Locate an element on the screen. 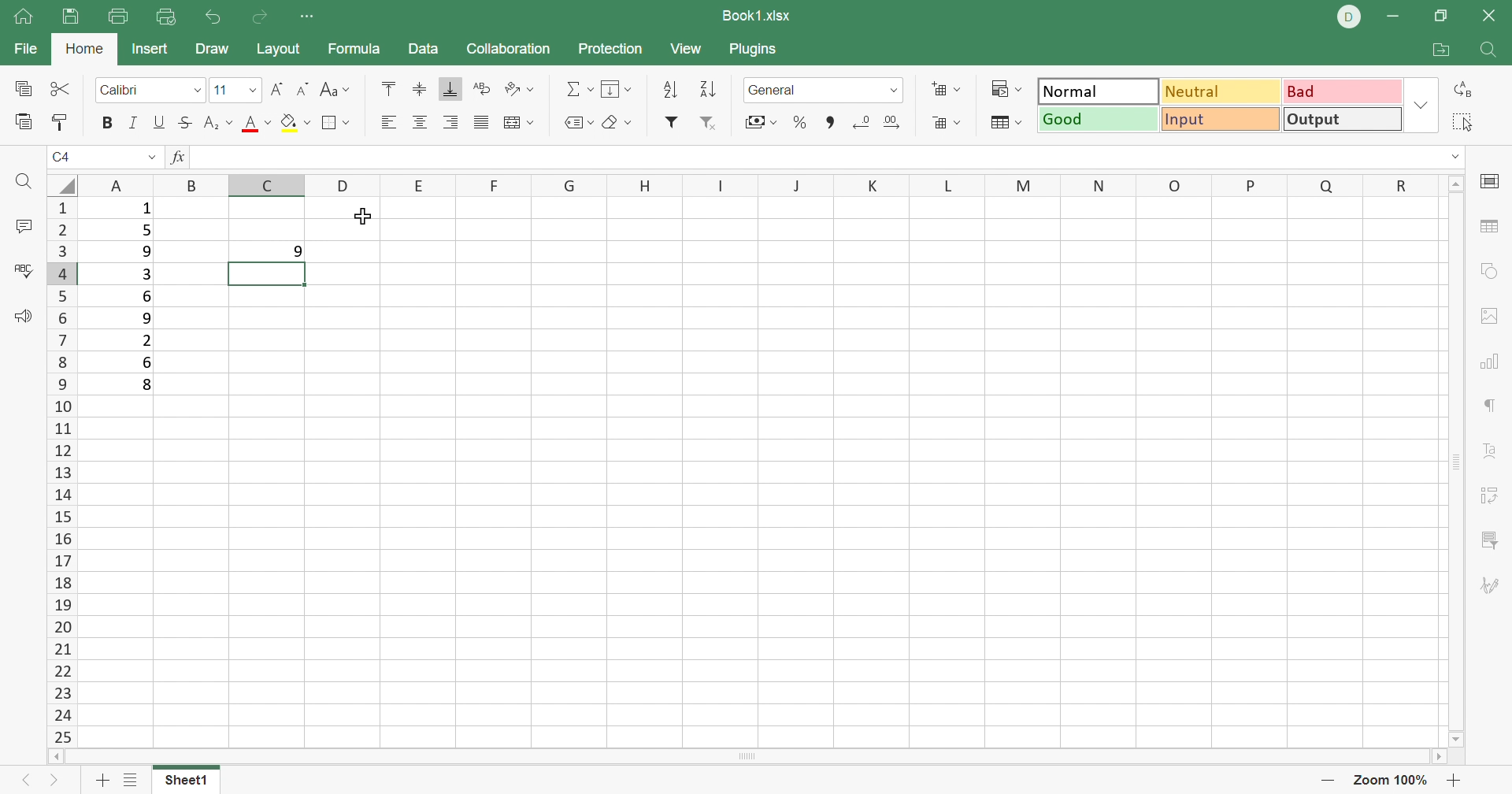 The image size is (1512, 794). Fill color is located at coordinates (295, 126).